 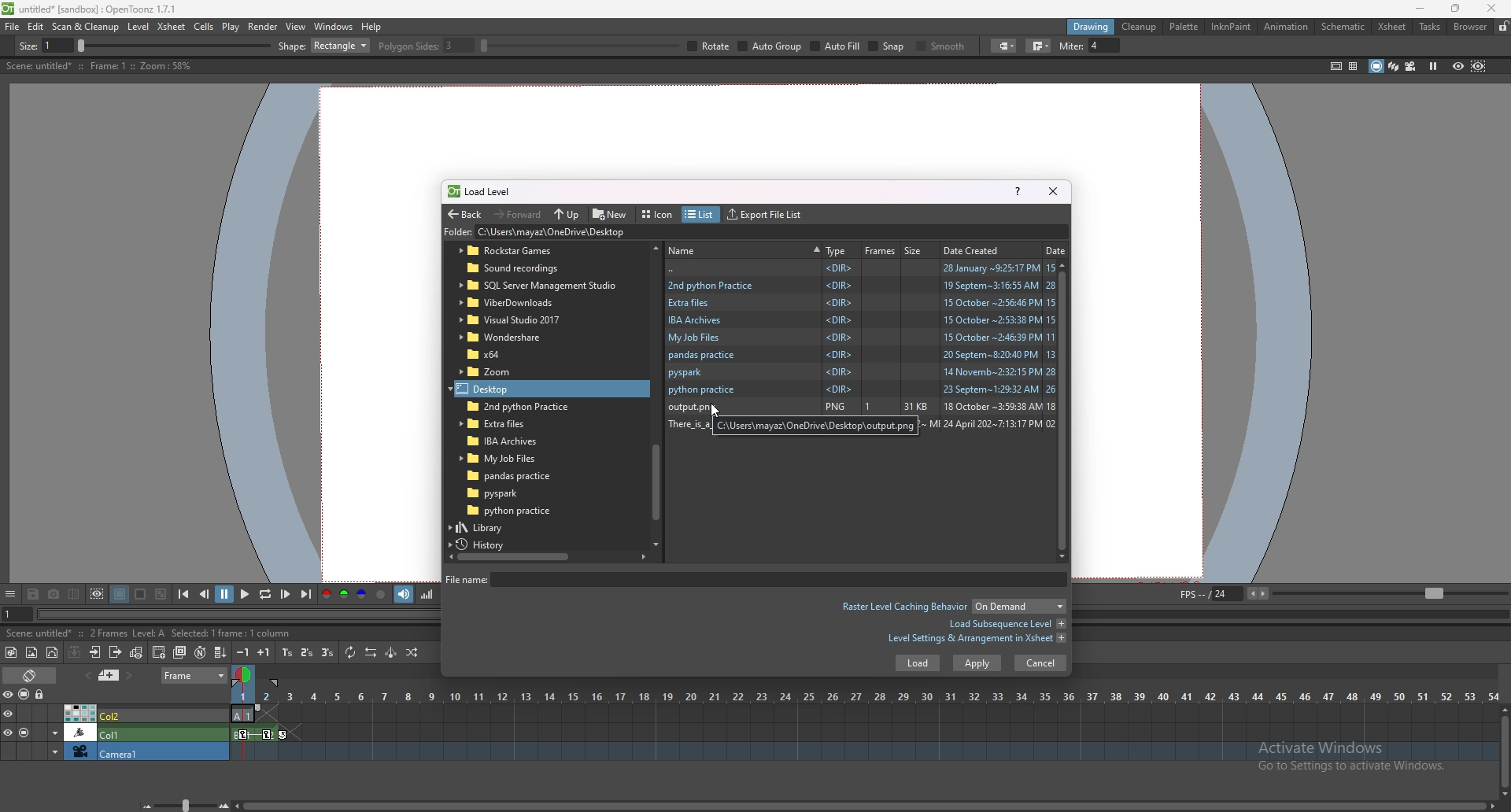 What do you see at coordinates (1505, 751) in the screenshot?
I see `scroll bar` at bounding box center [1505, 751].